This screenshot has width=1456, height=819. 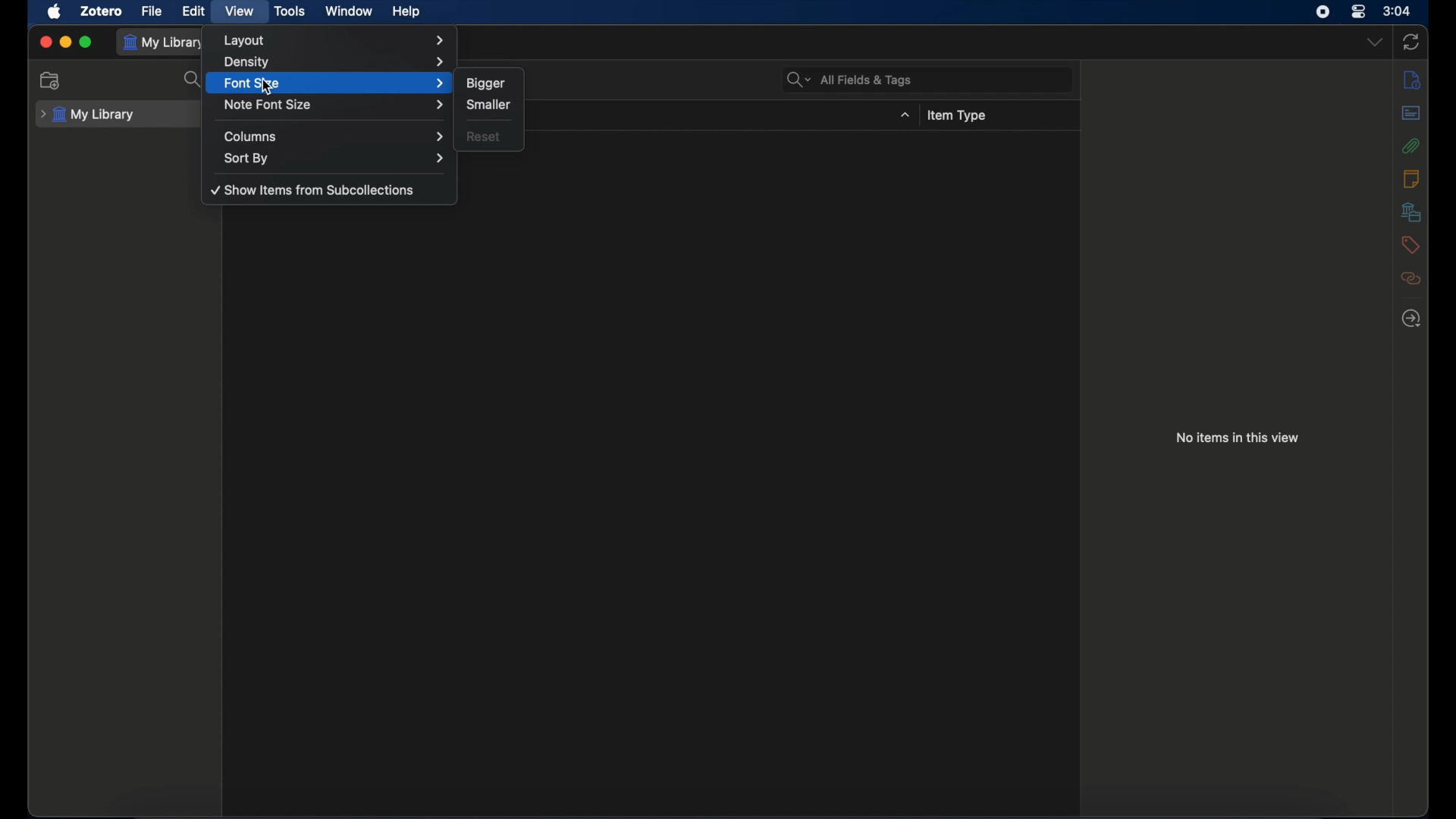 What do you see at coordinates (165, 42) in the screenshot?
I see `my library` at bounding box center [165, 42].